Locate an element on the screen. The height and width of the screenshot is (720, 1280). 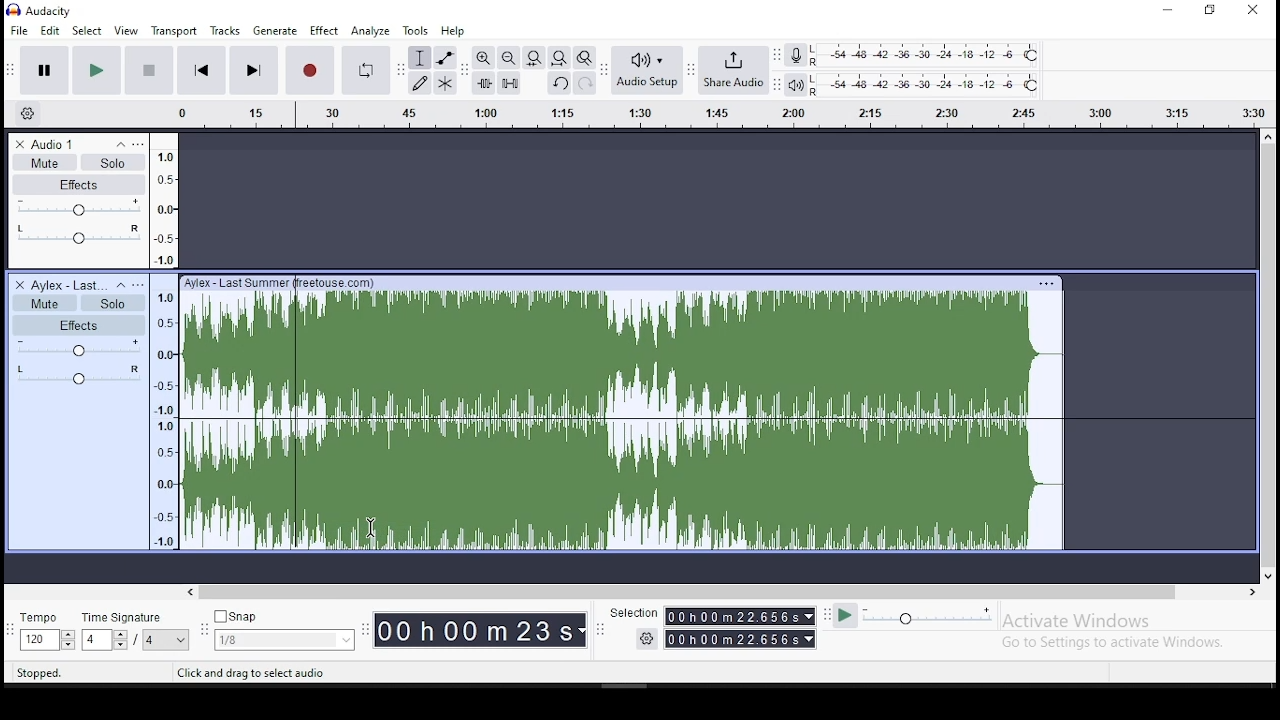
effect is located at coordinates (326, 30).